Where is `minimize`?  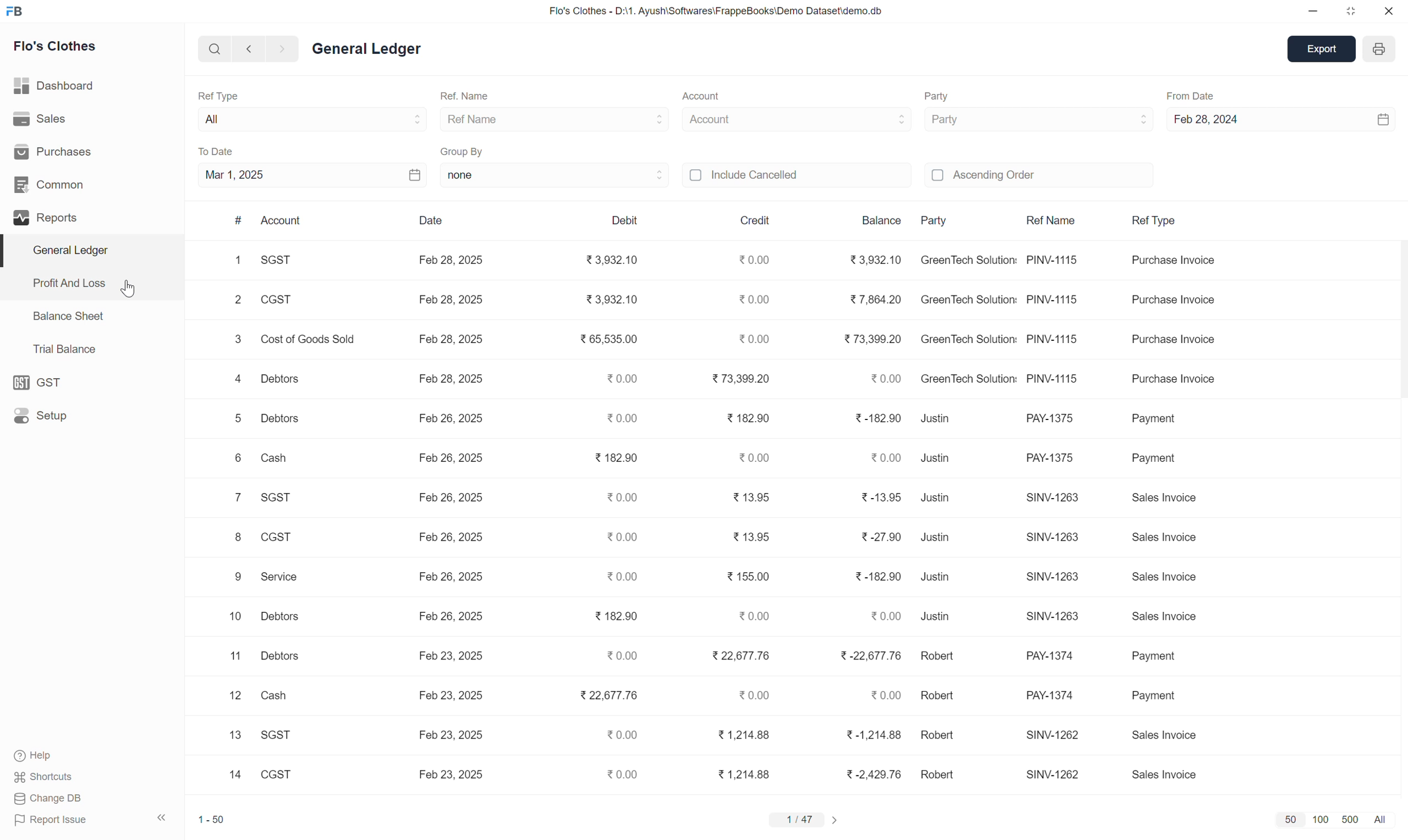 minimize is located at coordinates (1311, 12).